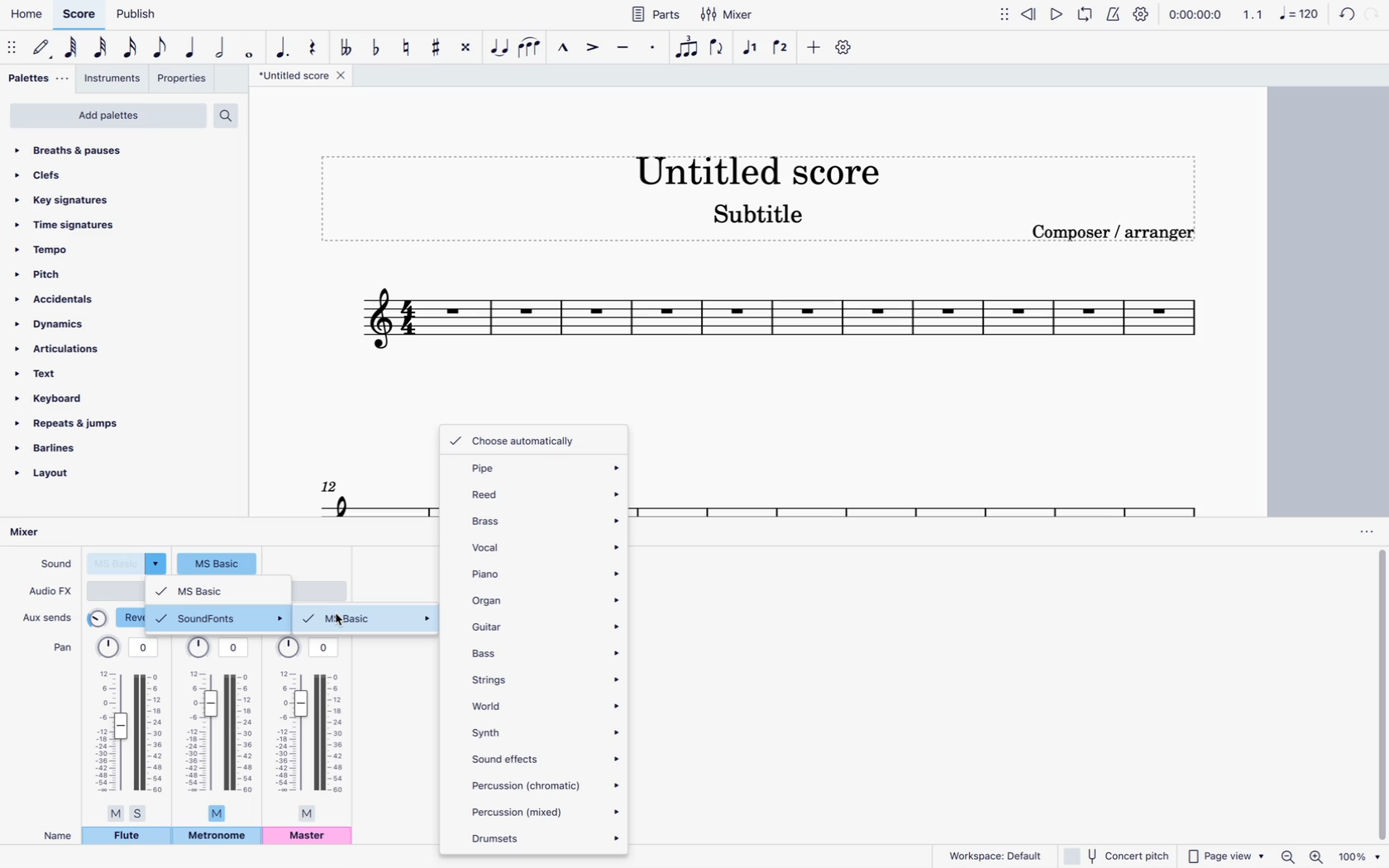 The width and height of the screenshot is (1389, 868). Describe the element at coordinates (752, 48) in the screenshot. I see `voice 1` at that location.